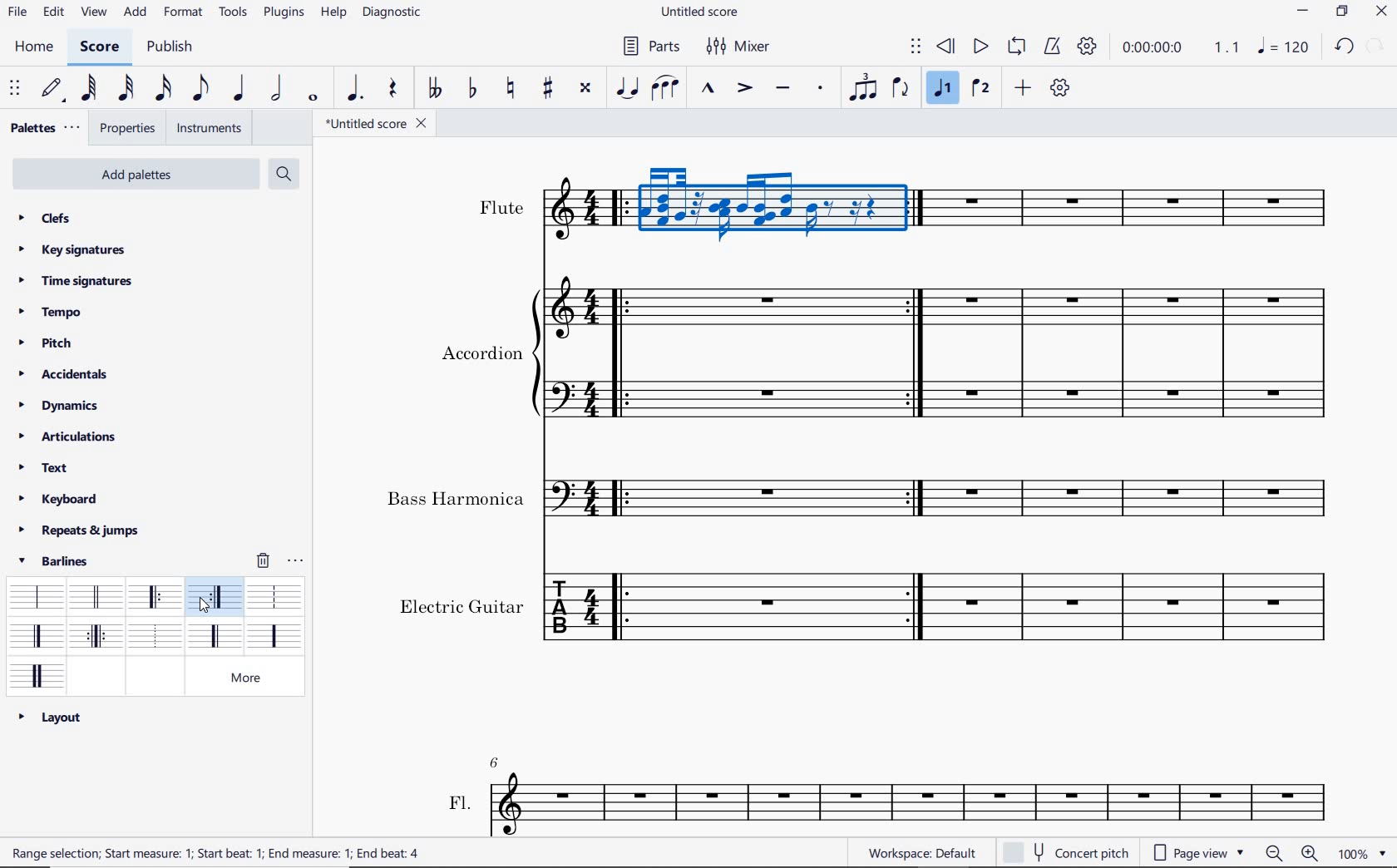  I want to click on clefs, so click(42, 217).